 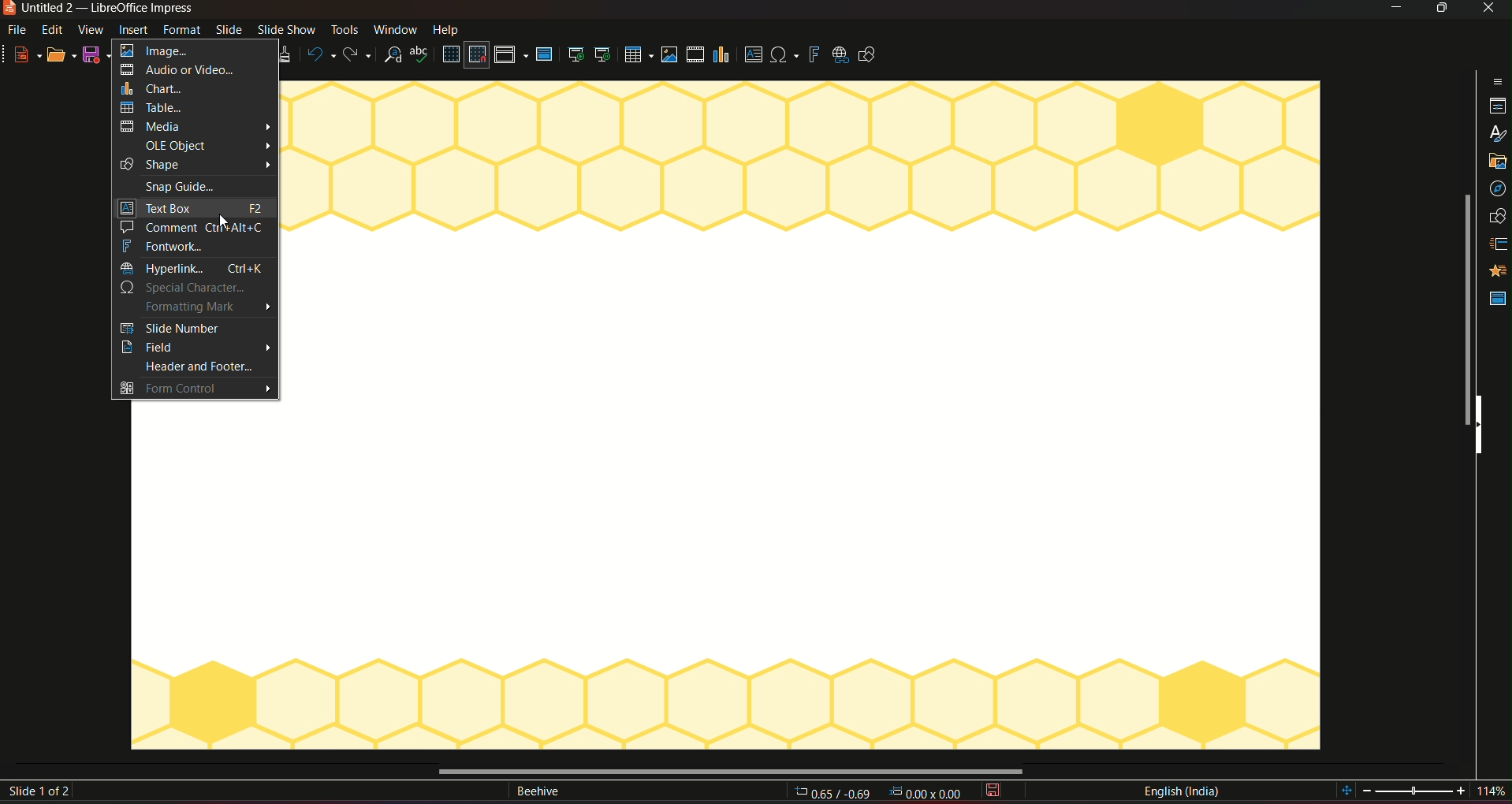 What do you see at coordinates (97, 54) in the screenshot?
I see `save` at bounding box center [97, 54].